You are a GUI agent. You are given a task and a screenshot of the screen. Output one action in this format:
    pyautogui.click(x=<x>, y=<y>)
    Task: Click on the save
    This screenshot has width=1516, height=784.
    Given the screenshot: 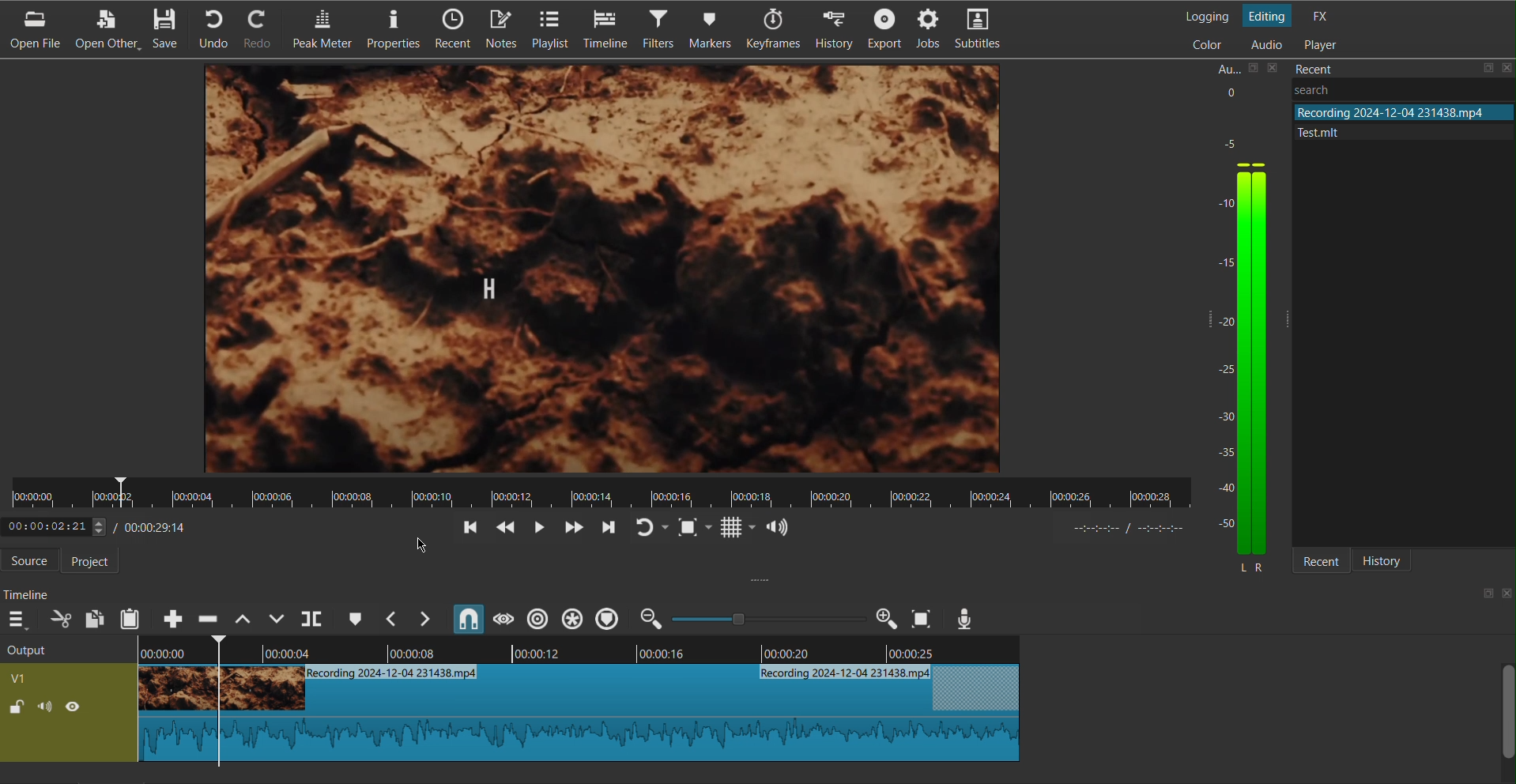 What is the action you would take?
    pyautogui.click(x=1484, y=595)
    